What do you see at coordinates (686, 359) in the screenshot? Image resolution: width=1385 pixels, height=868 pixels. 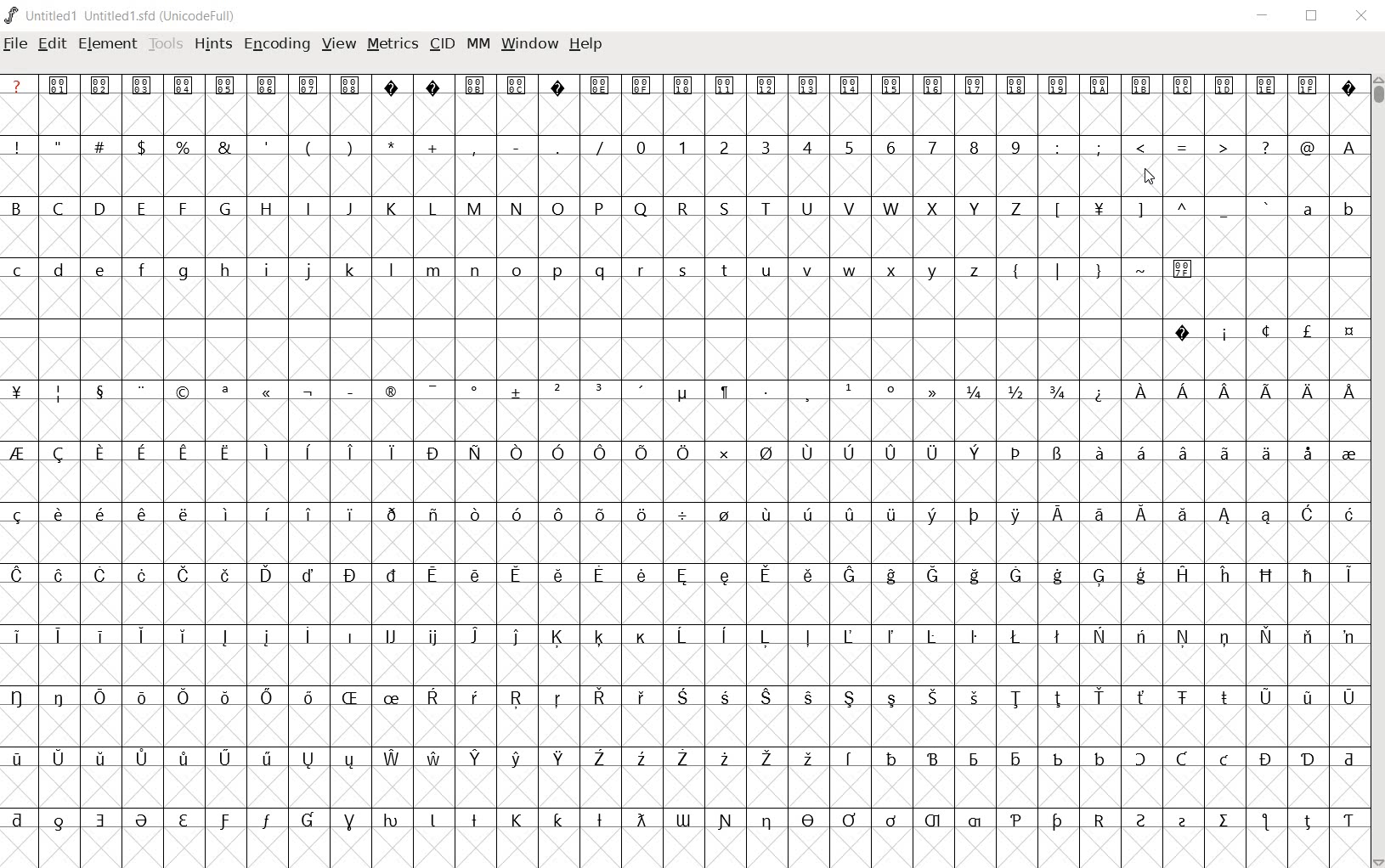 I see `empty cells` at bounding box center [686, 359].